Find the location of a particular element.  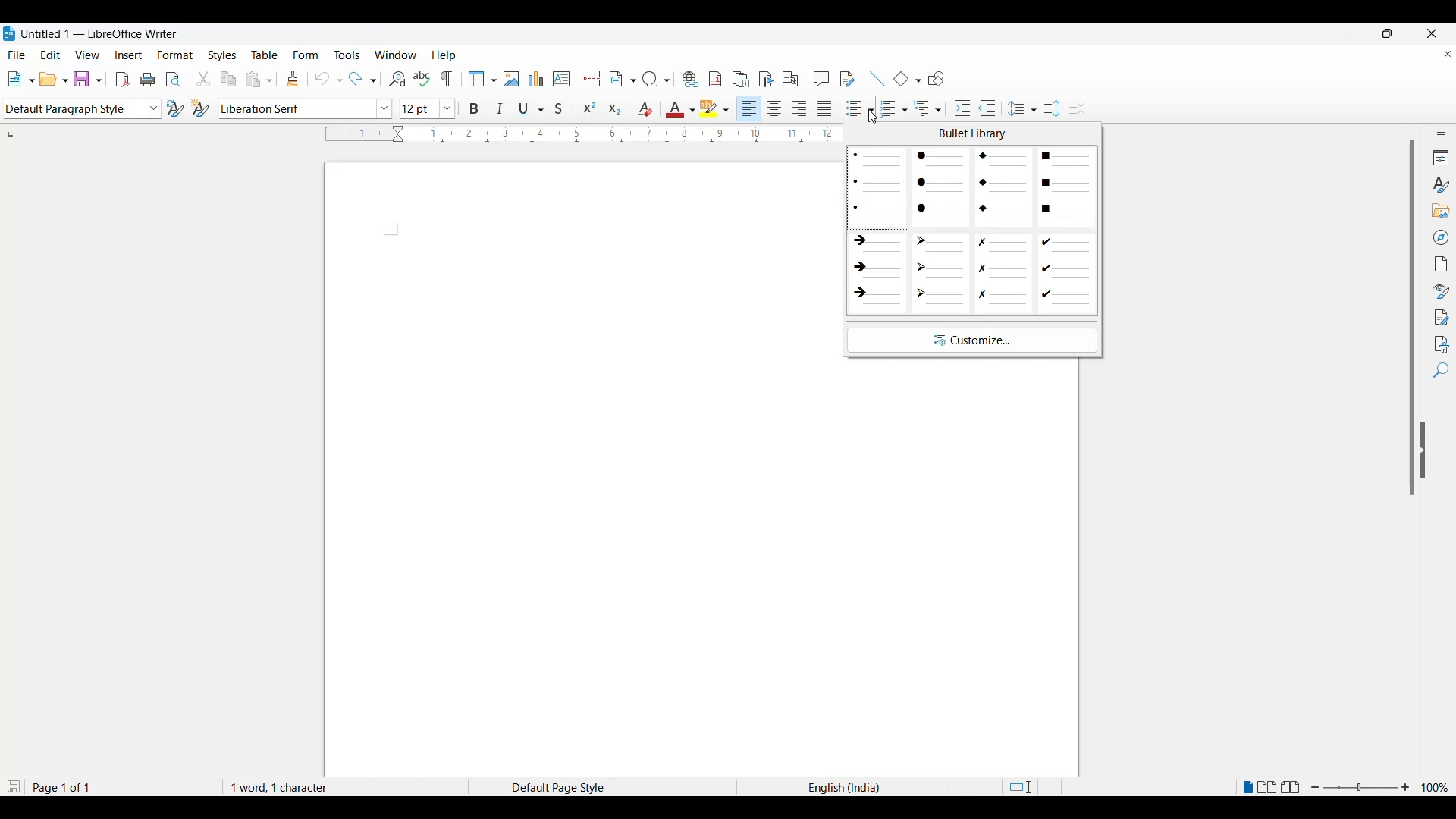

Diamond unordered bullets is located at coordinates (1005, 187).